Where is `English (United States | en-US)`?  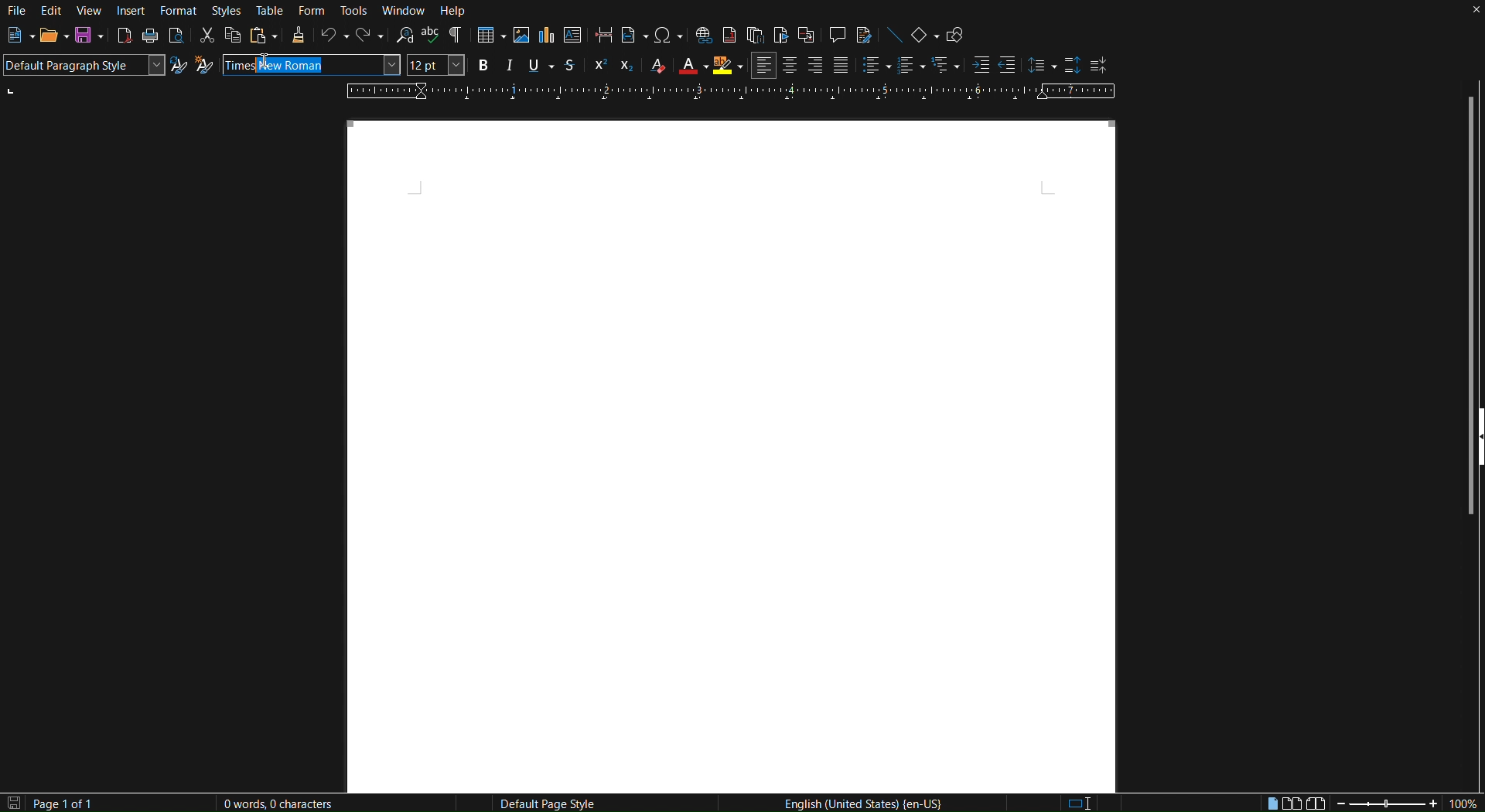 English (United States | en-US) is located at coordinates (866, 803).